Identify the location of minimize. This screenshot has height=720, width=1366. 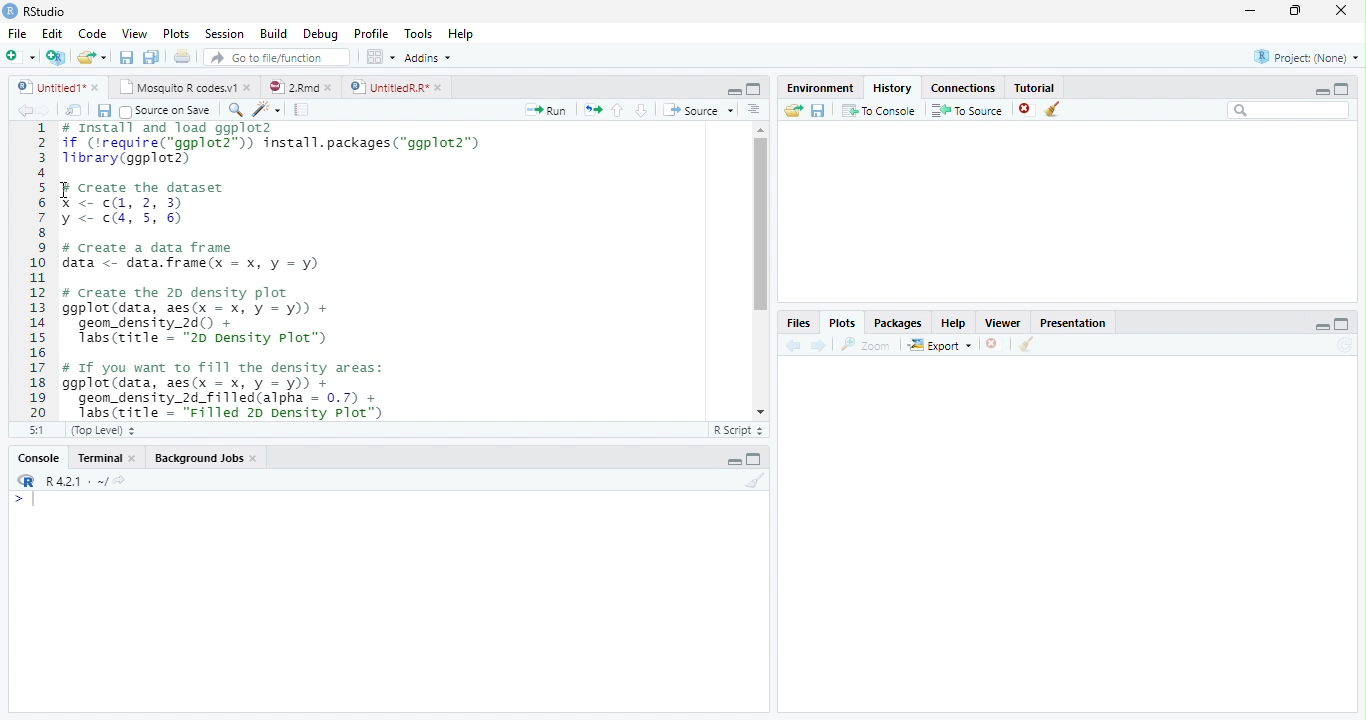
(1323, 326).